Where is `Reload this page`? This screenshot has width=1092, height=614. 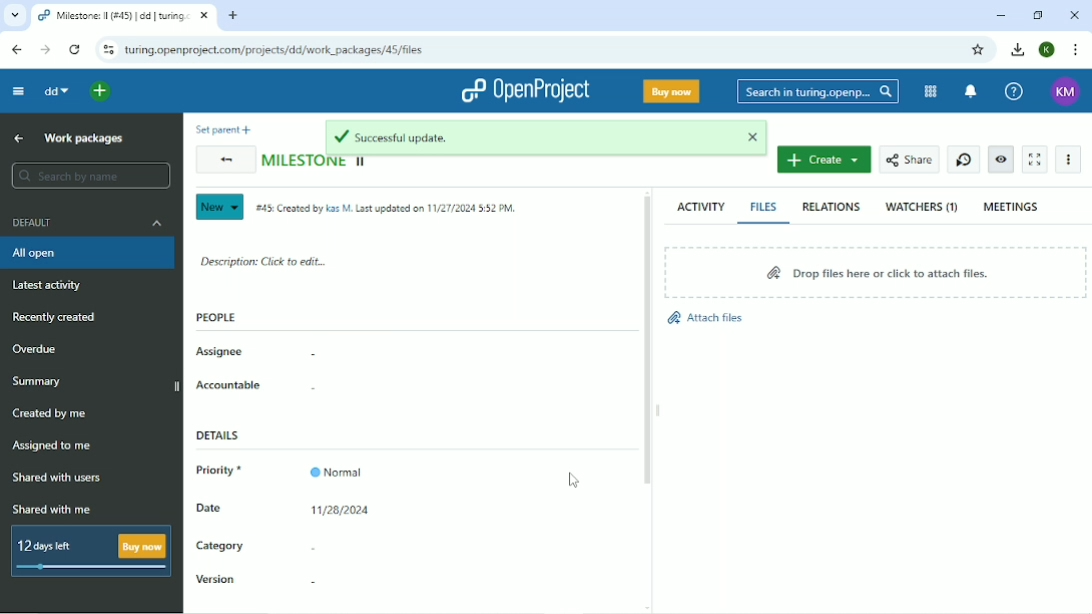
Reload this page is located at coordinates (74, 49).